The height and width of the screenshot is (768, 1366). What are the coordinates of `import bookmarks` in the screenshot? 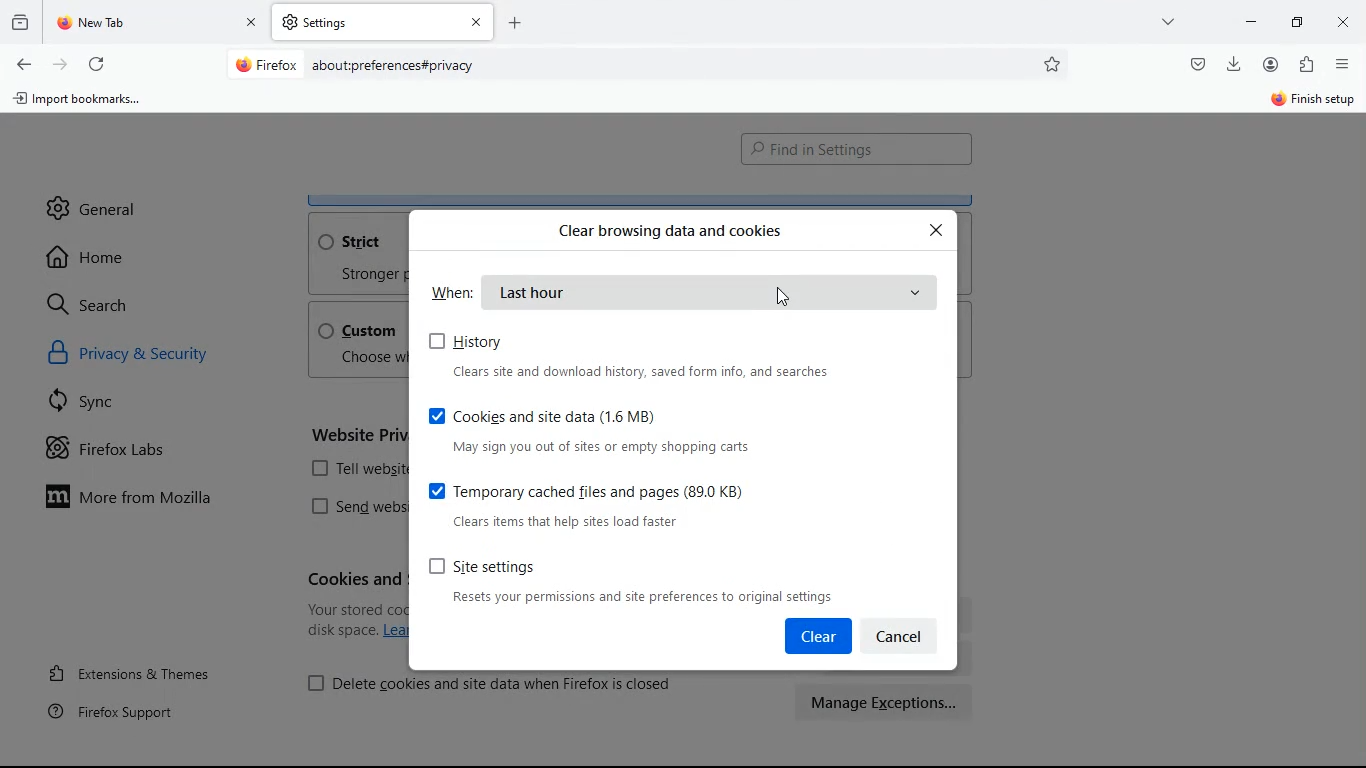 It's located at (84, 103).